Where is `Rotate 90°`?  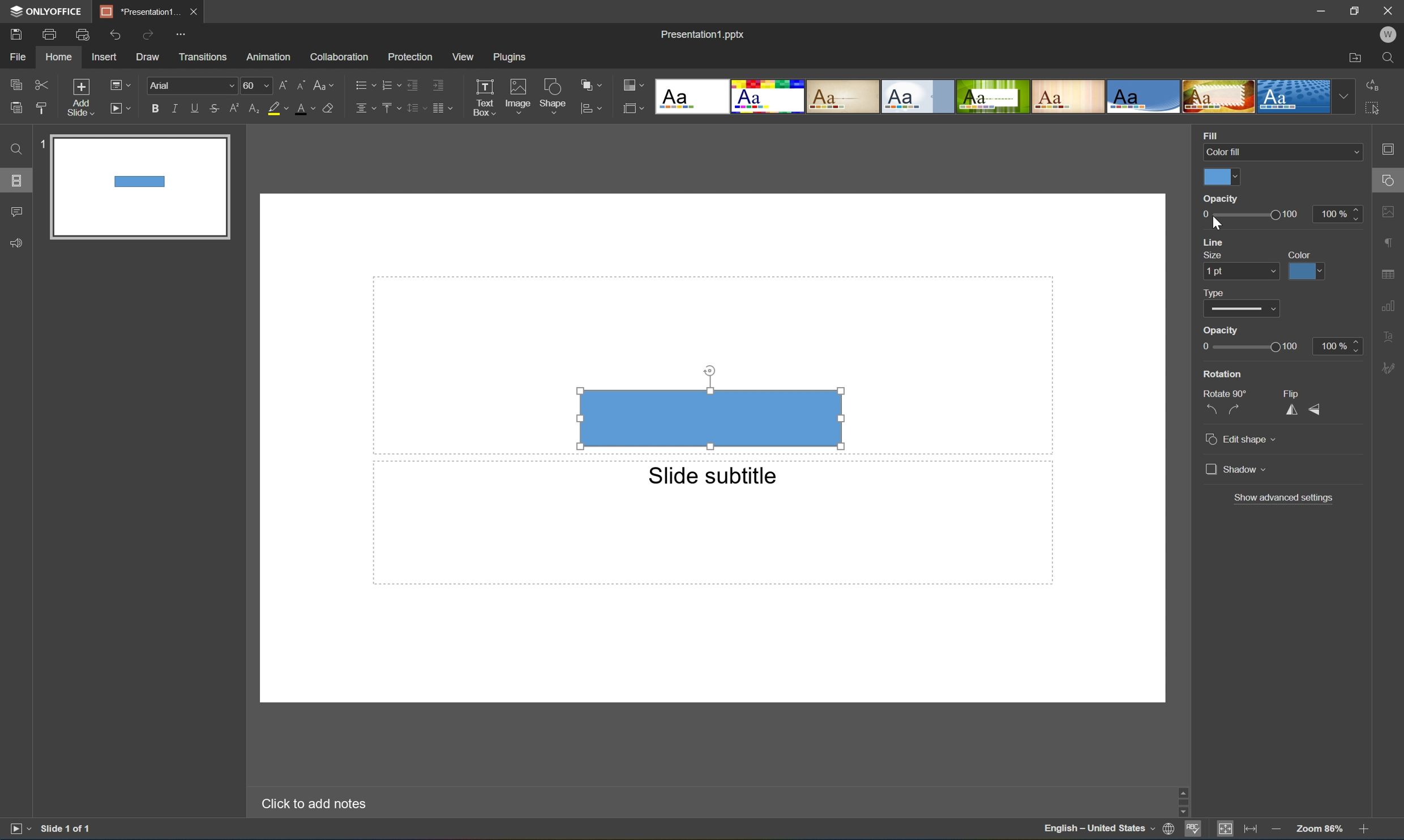 Rotate 90° is located at coordinates (1224, 391).